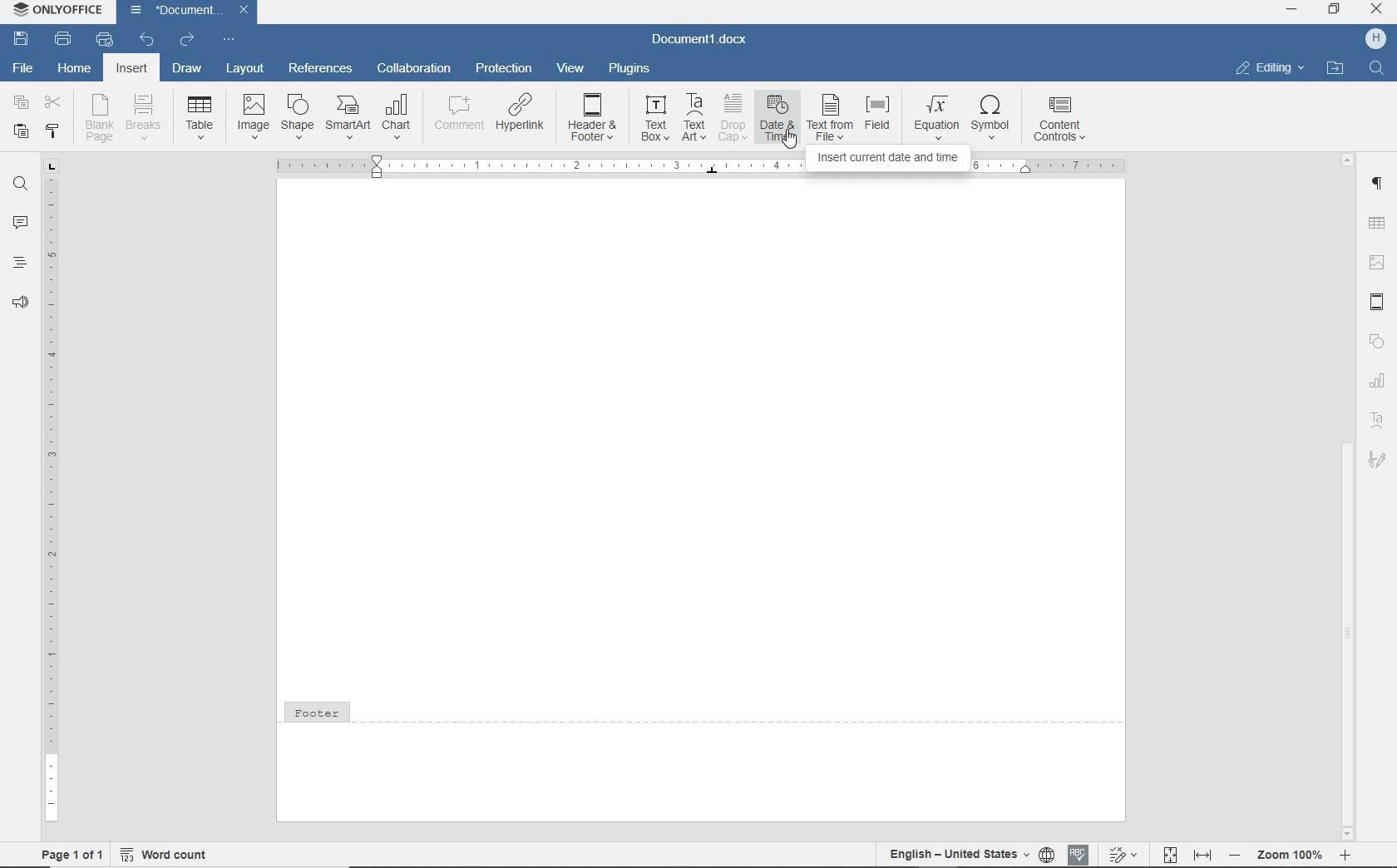 The height and width of the screenshot is (868, 1397). Describe the element at coordinates (695, 117) in the screenshot. I see `text art` at that location.